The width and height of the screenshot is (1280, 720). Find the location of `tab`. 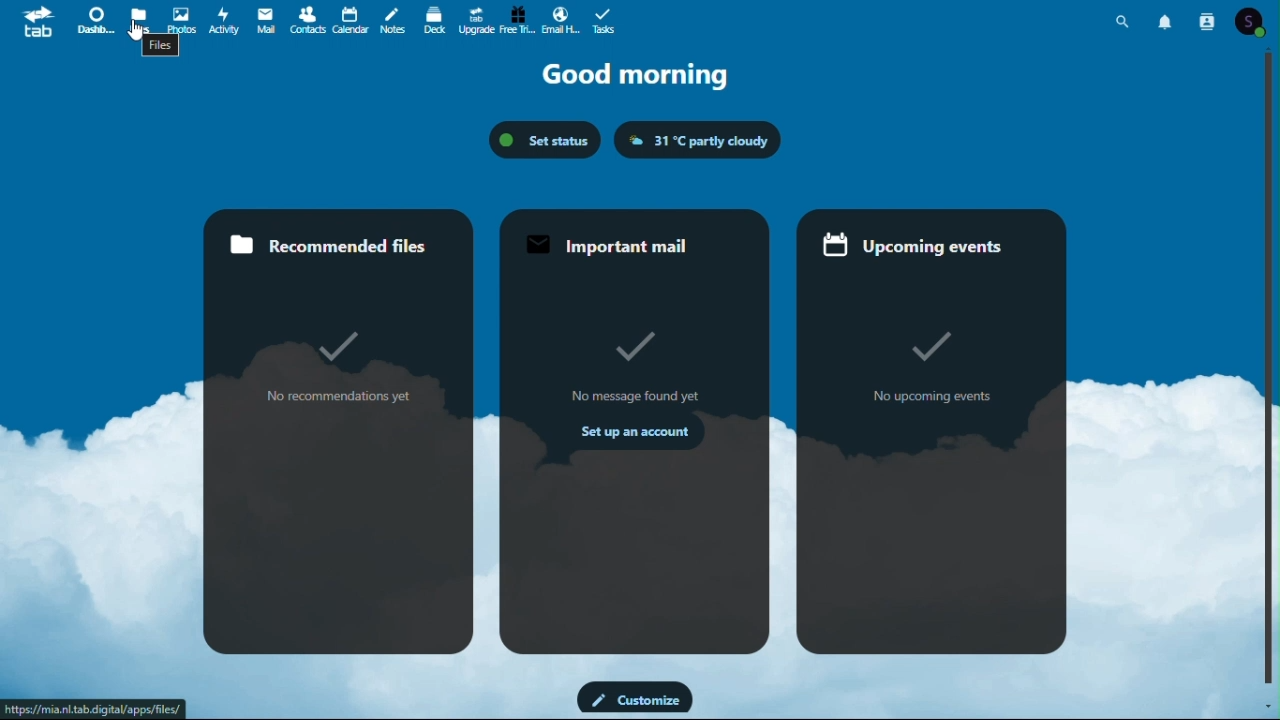

tab is located at coordinates (30, 21).